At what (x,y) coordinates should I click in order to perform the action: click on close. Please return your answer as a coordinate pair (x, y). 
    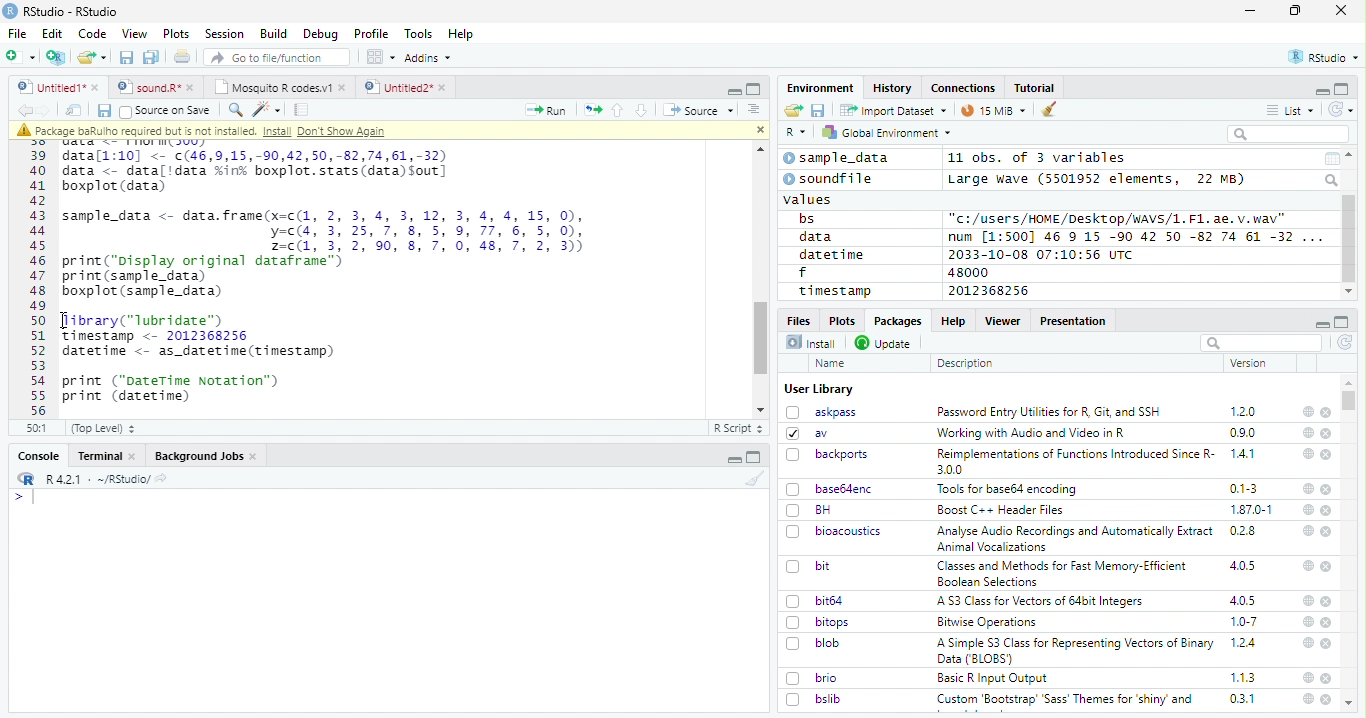
    Looking at the image, I should click on (1326, 699).